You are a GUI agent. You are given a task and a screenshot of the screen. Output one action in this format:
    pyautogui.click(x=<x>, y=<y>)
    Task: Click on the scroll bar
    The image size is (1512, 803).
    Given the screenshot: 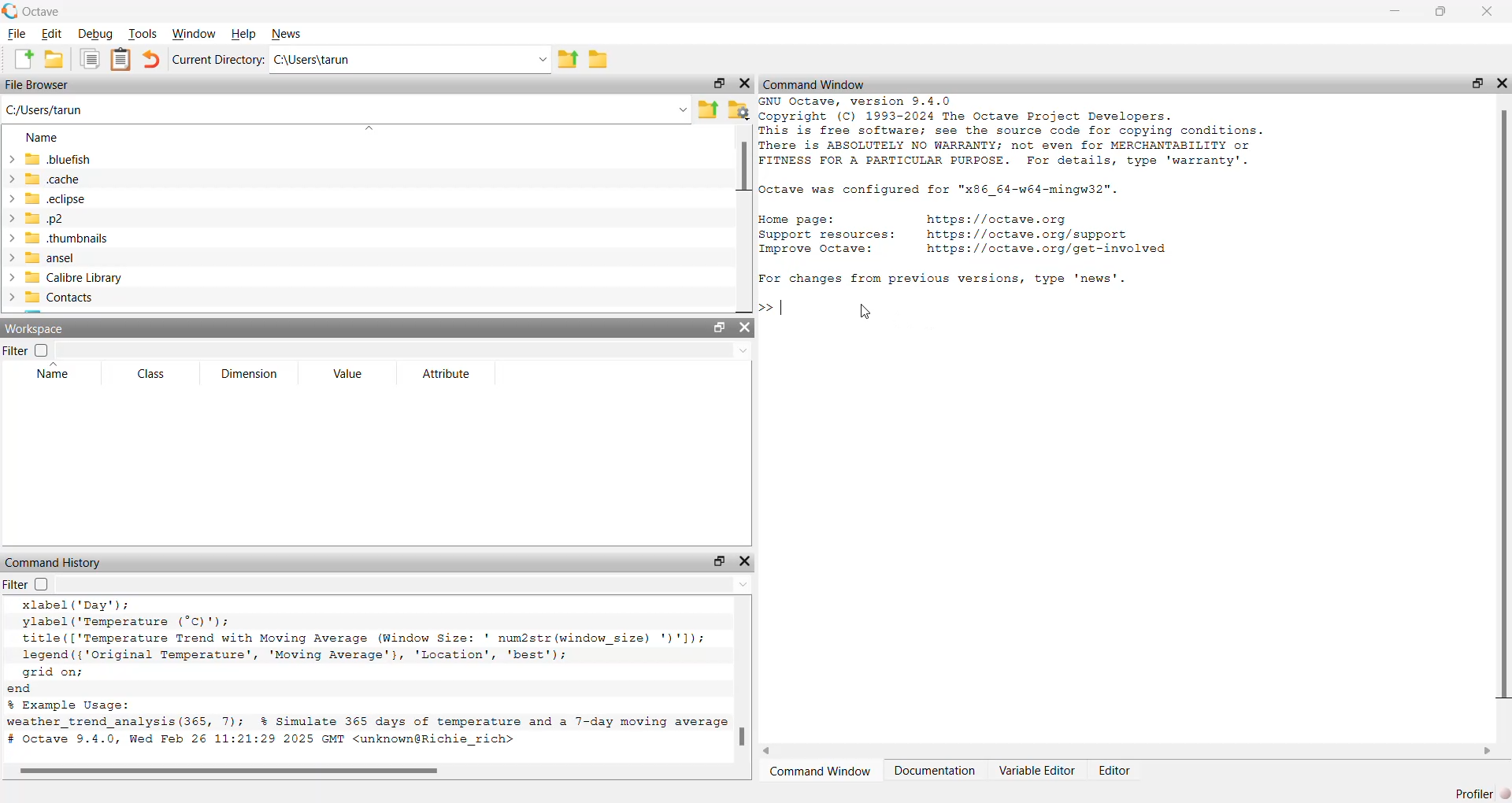 What is the action you would take?
    pyautogui.click(x=370, y=769)
    